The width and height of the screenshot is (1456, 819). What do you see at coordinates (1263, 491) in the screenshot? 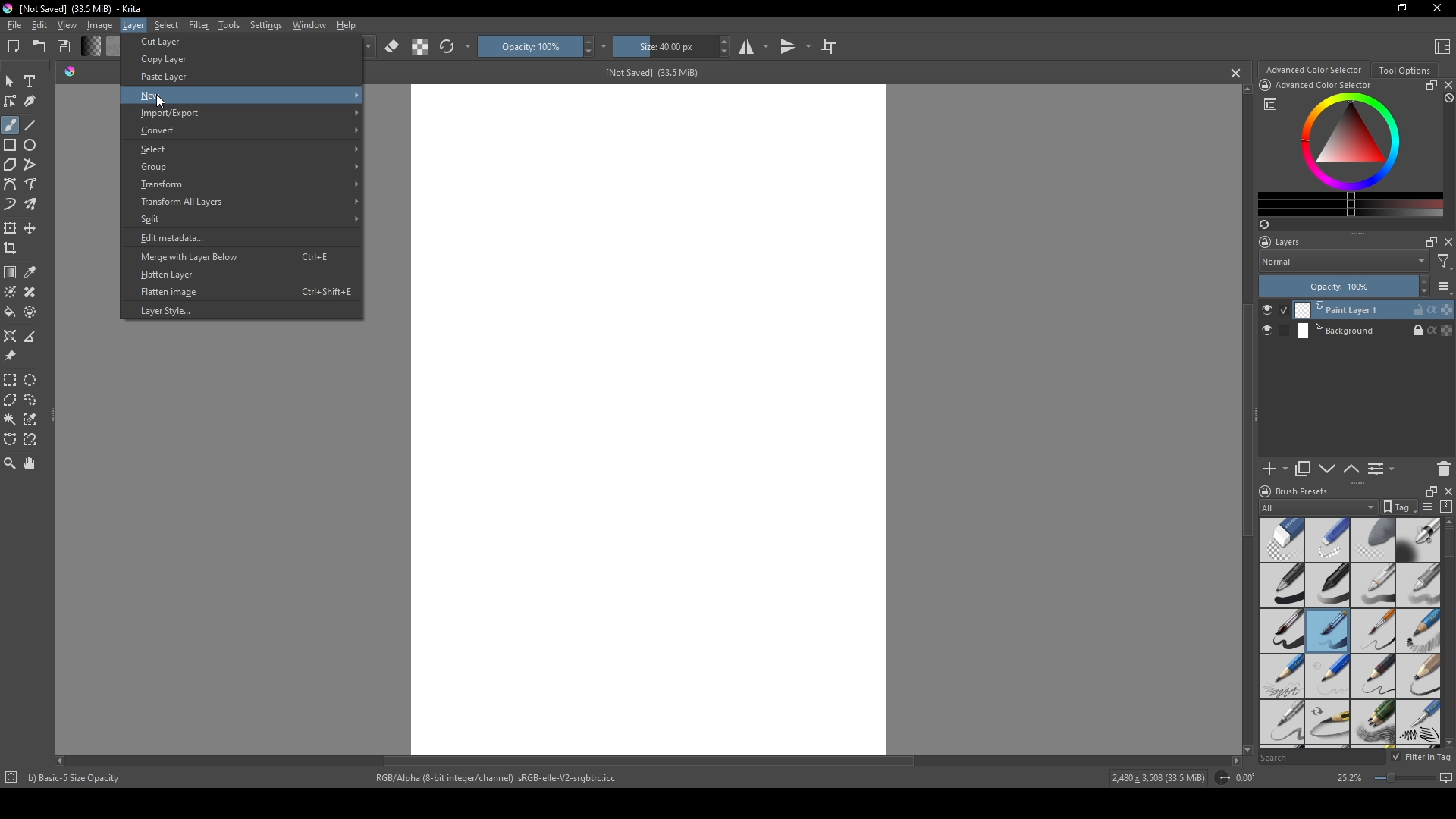
I see `logo` at bounding box center [1263, 491].